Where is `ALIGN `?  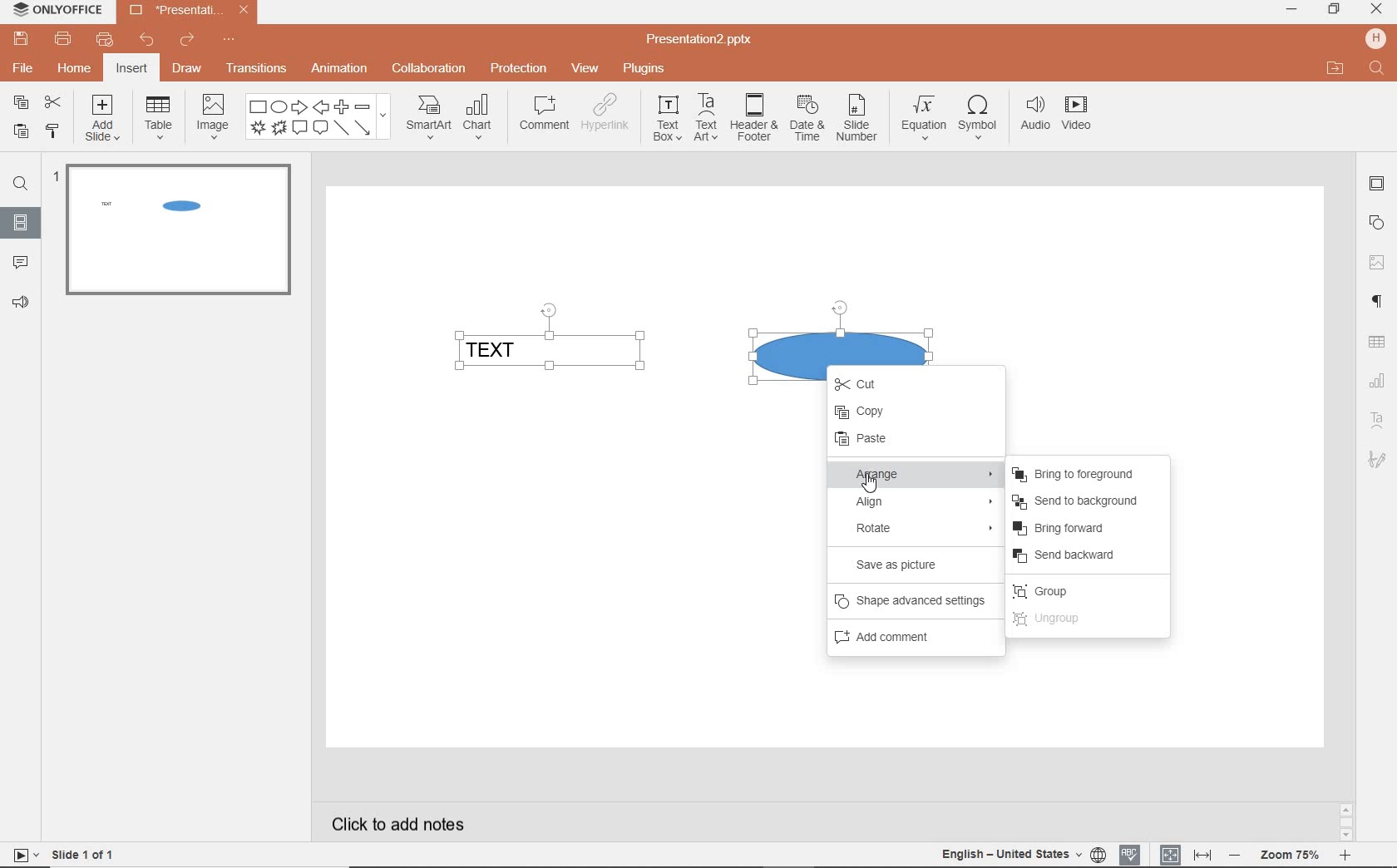 ALIGN  is located at coordinates (916, 501).